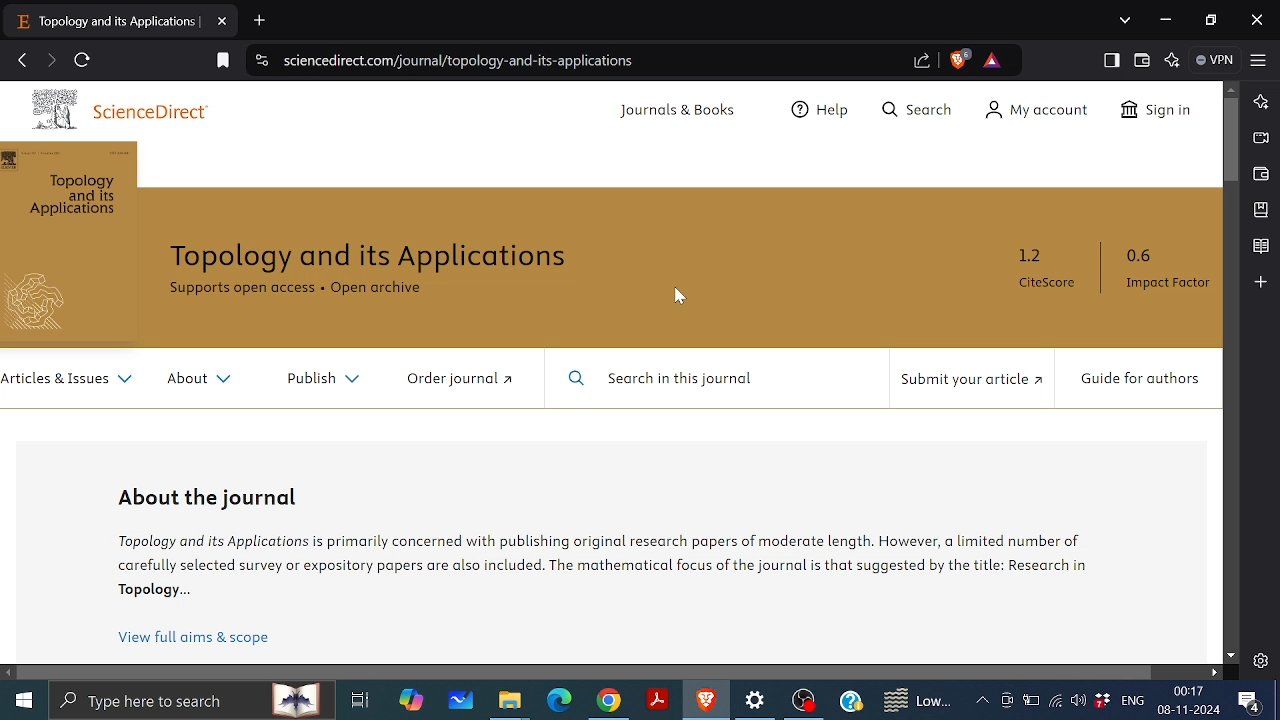 This screenshot has height=720, width=1280. Describe the element at coordinates (196, 702) in the screenshot. I see `search` at that location.